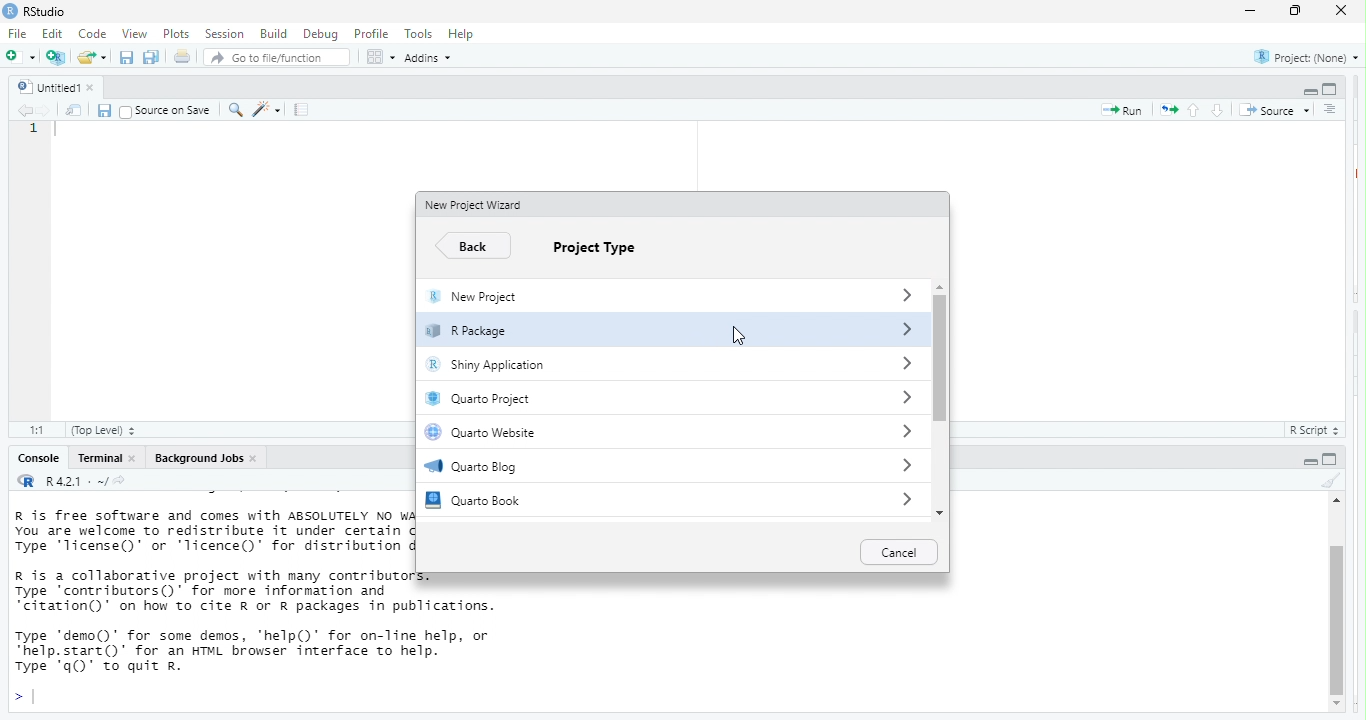 This screenshot has height=720, width=1366. What do you see at coordinates (273, 33) in the screenshot?
I see `Build` at bounding box center [273, 33].